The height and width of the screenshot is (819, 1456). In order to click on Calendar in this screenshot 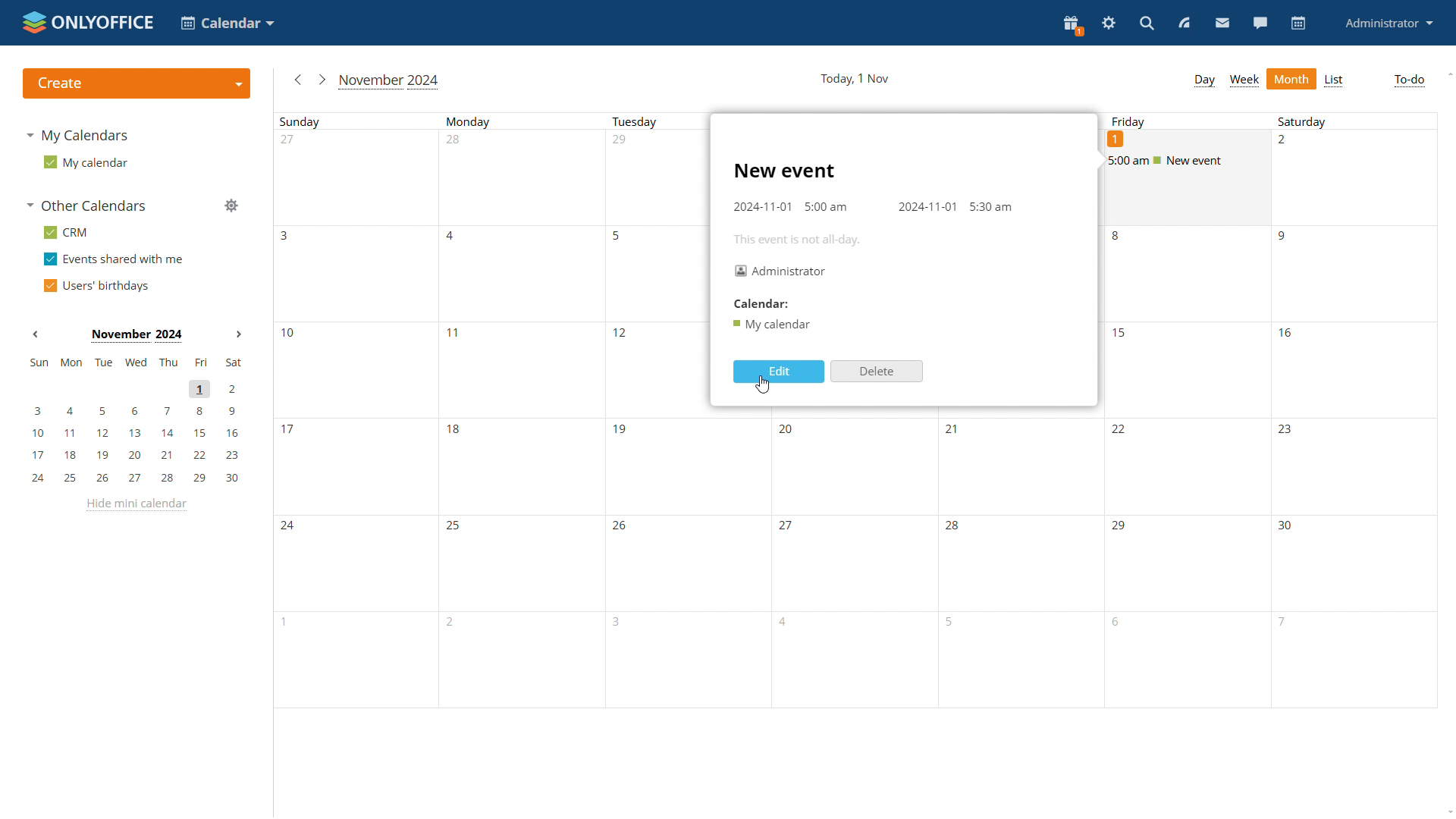, I will do `click(760, 303)`.